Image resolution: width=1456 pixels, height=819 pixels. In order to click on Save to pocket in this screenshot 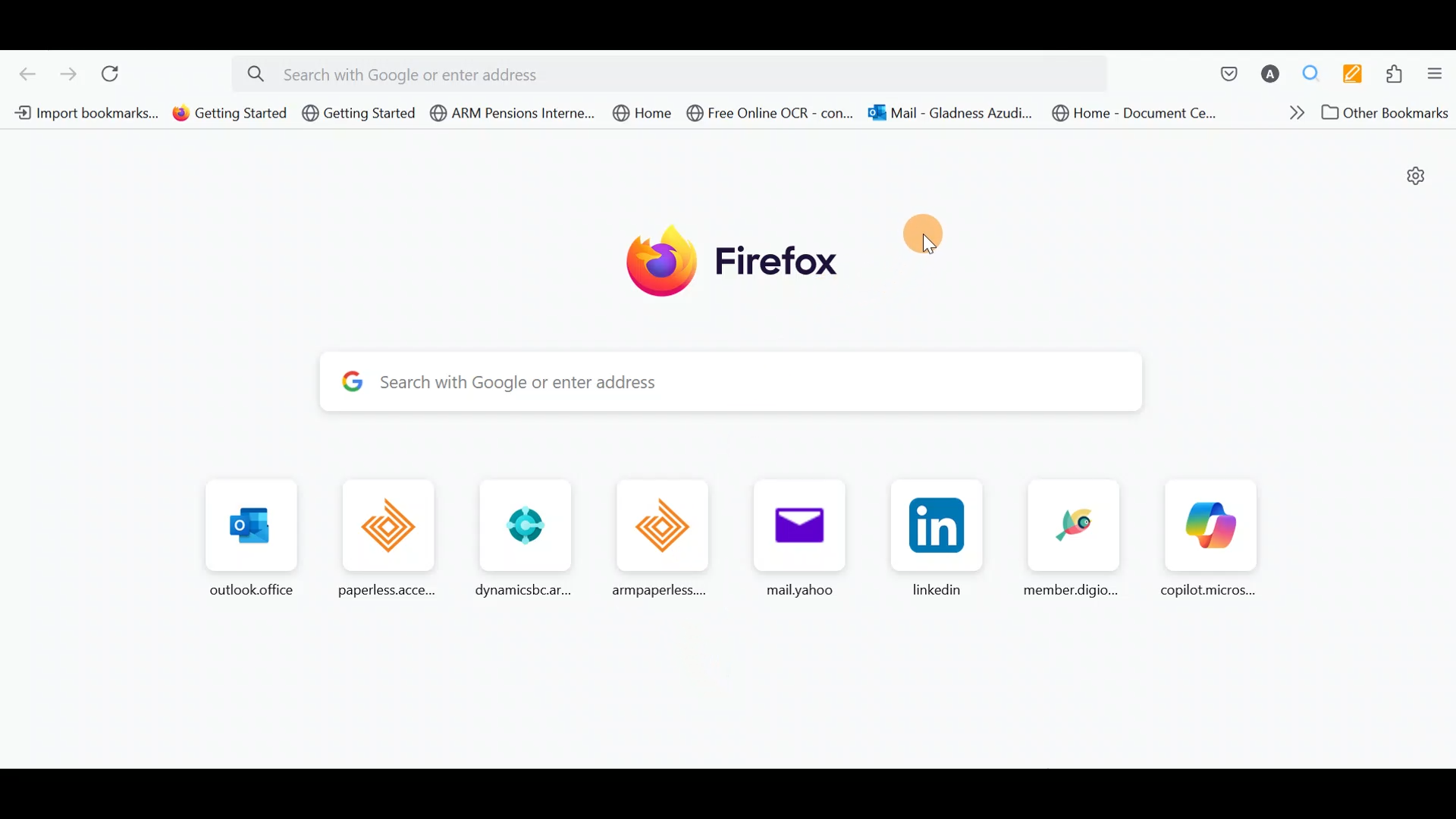, I will do `click(1221, 74)`.